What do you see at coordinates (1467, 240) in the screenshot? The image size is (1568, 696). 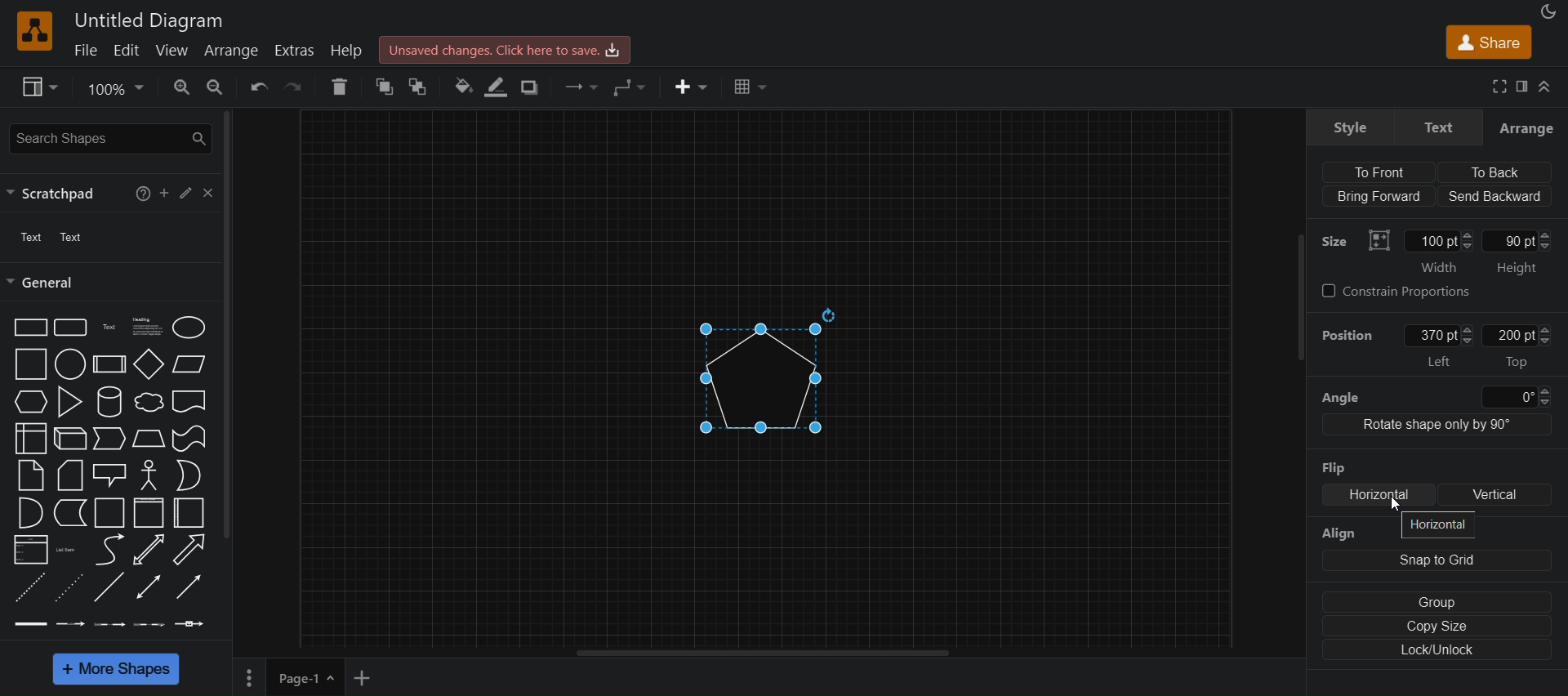 I see `Increase/Decrease width` at bounding box center [1467, 240].